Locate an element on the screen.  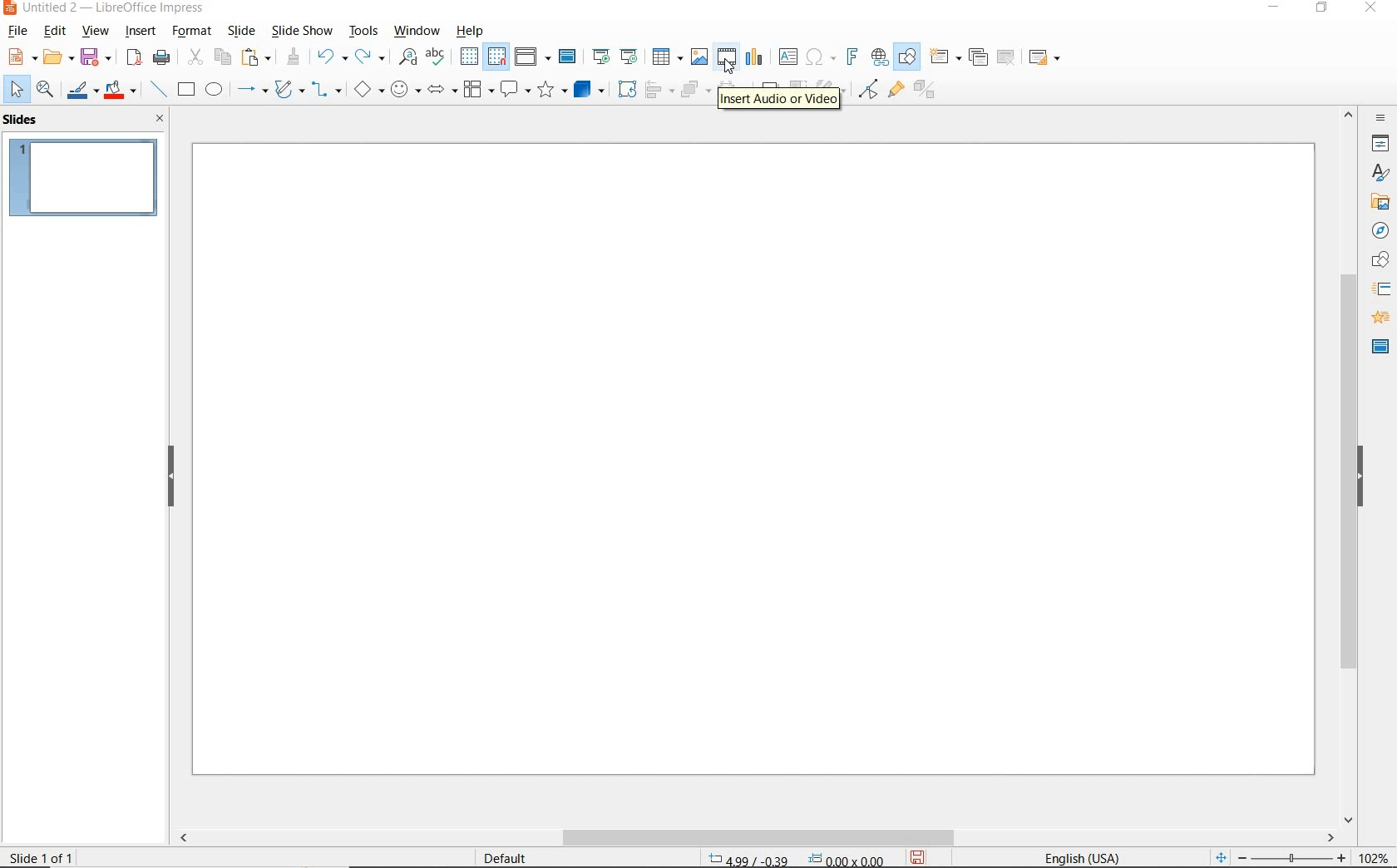
cursor is located at coordinates (732, 69).